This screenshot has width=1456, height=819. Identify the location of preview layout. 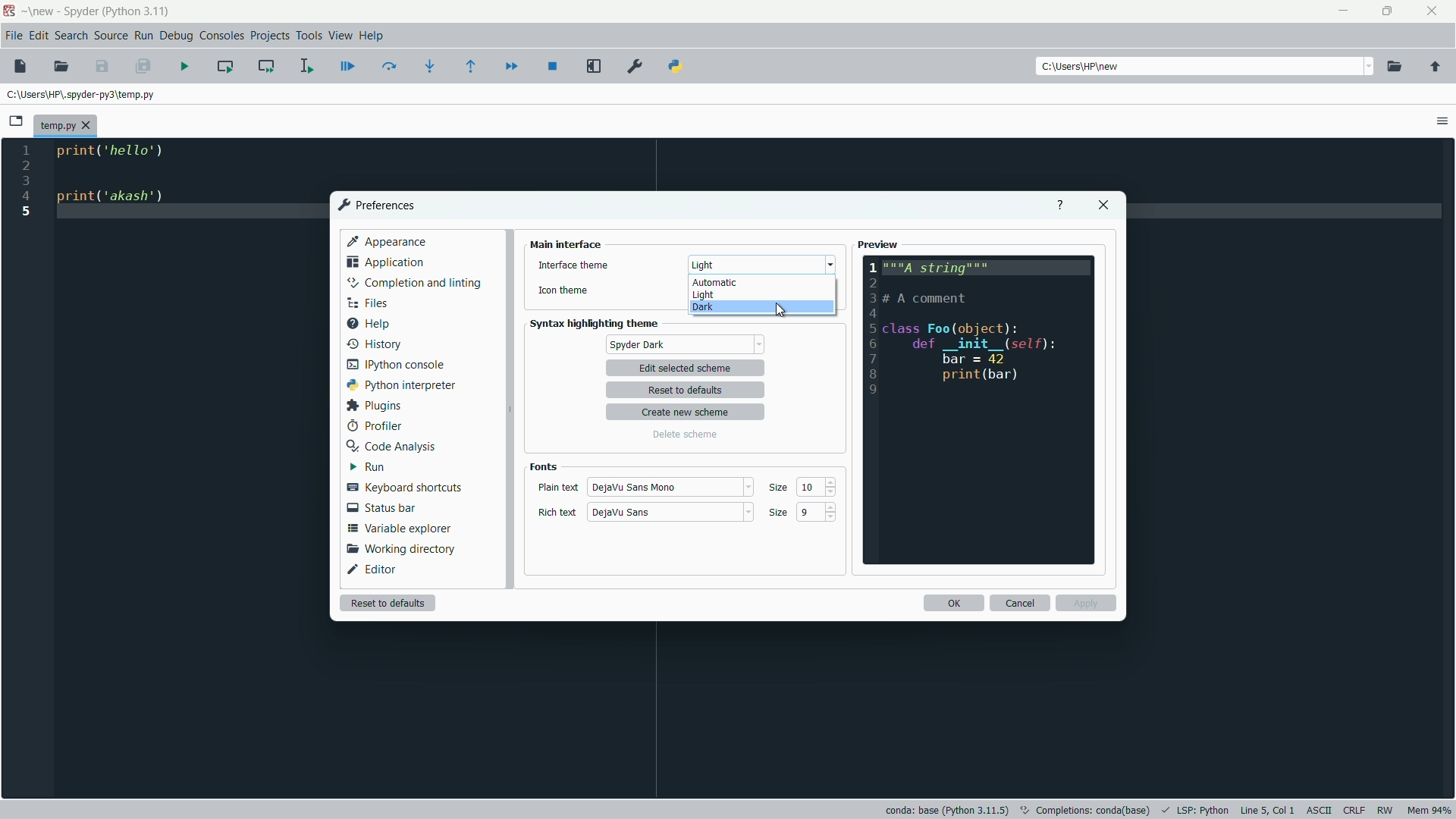
(980, 410).